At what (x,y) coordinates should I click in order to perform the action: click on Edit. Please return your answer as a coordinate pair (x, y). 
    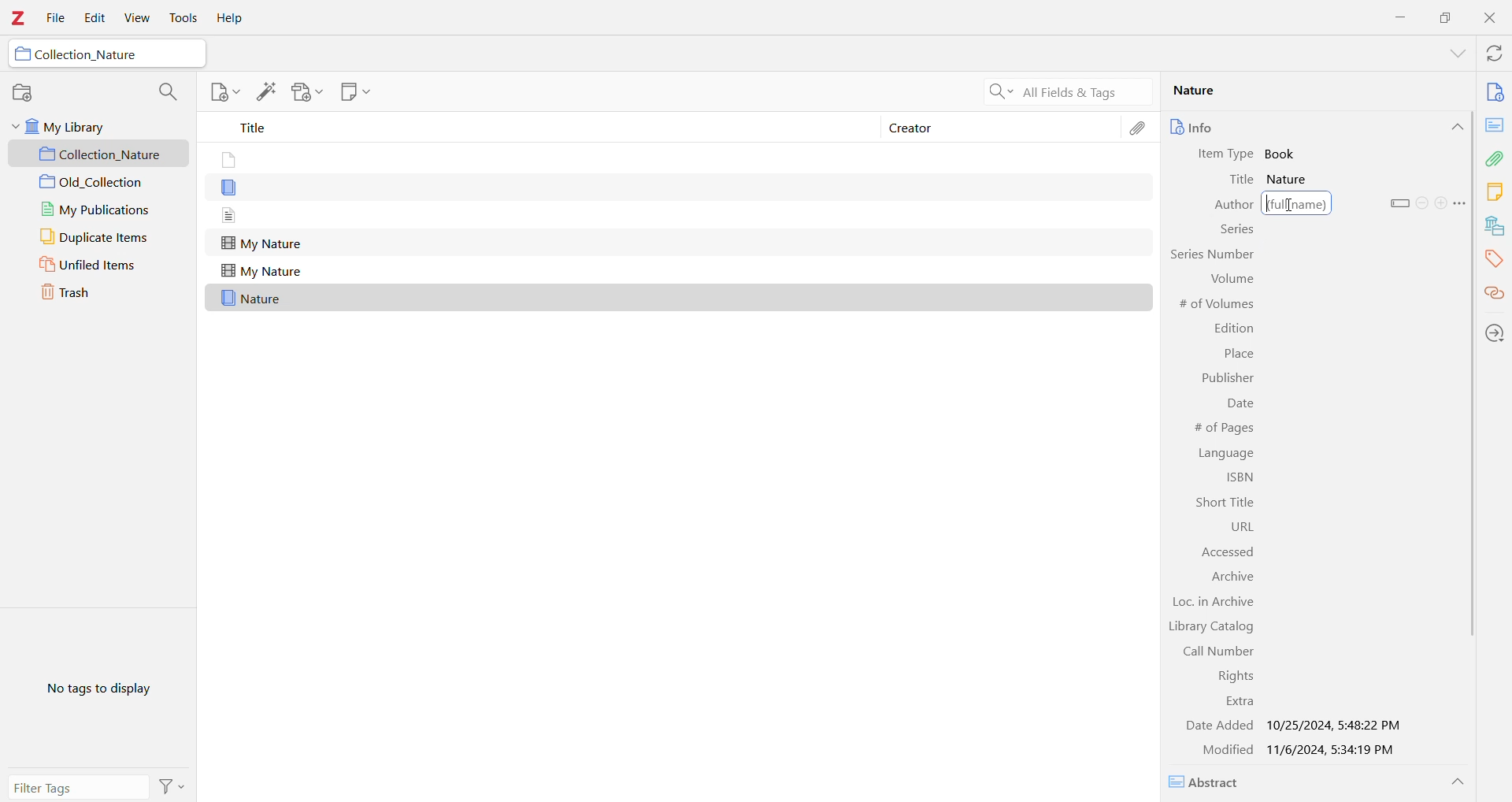
    Looking at the image, I should click on (91, 19).